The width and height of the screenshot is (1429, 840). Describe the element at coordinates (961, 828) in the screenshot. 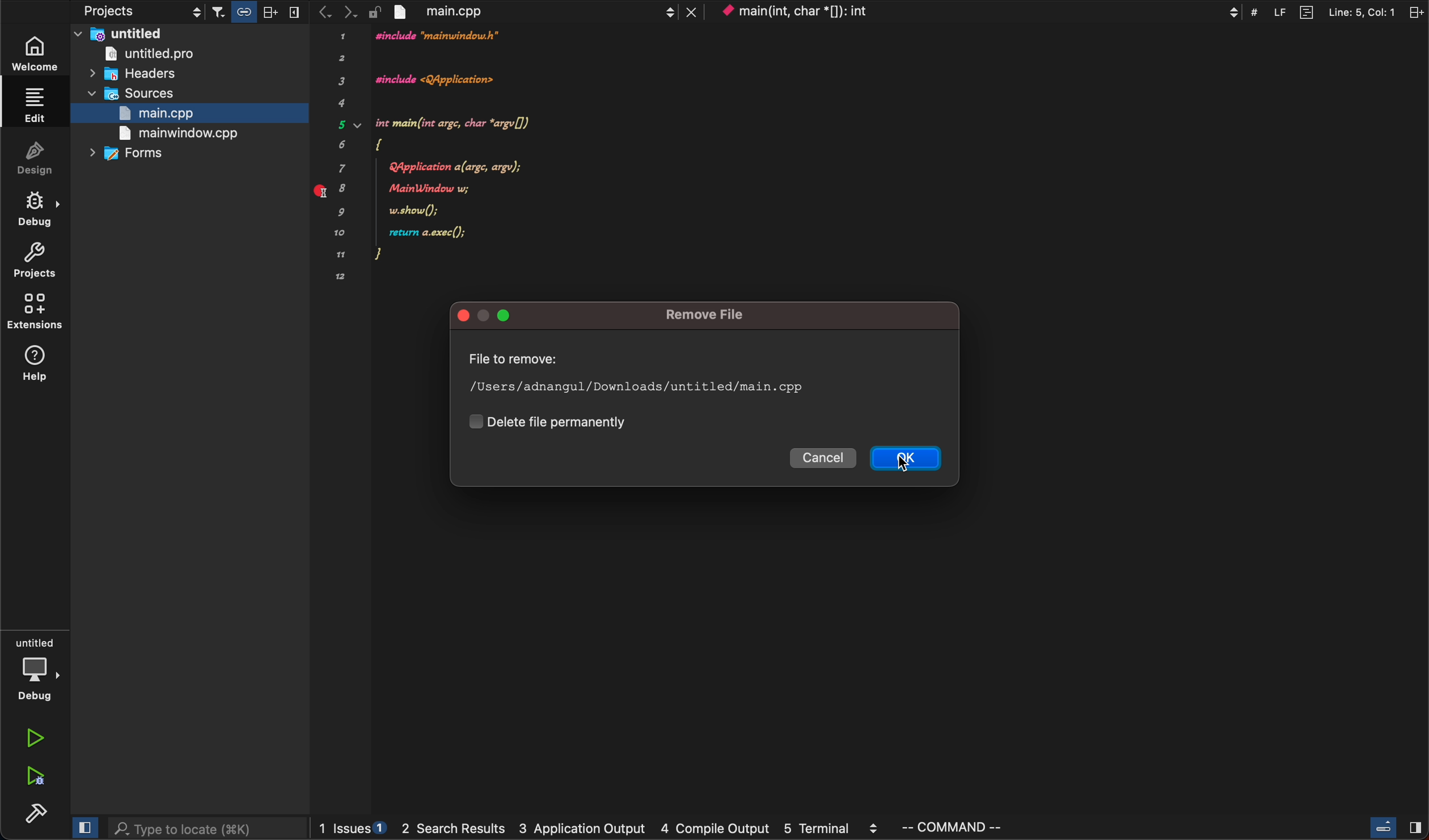

I see `command` at that location.